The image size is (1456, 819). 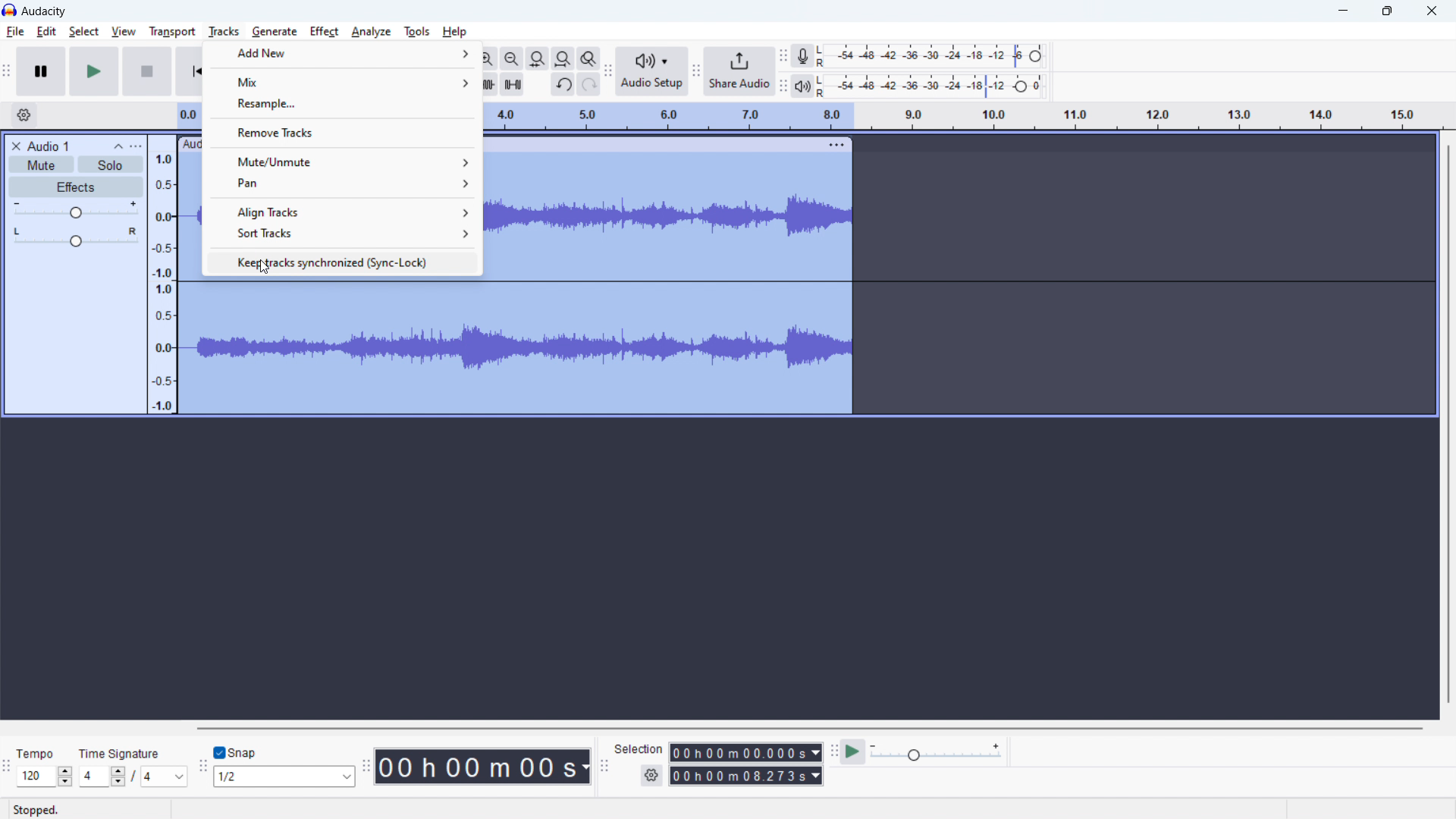 What do you see at coordinates (164, 275) in the screenshot?
I see `timeline` at bounding box center [164, 275].